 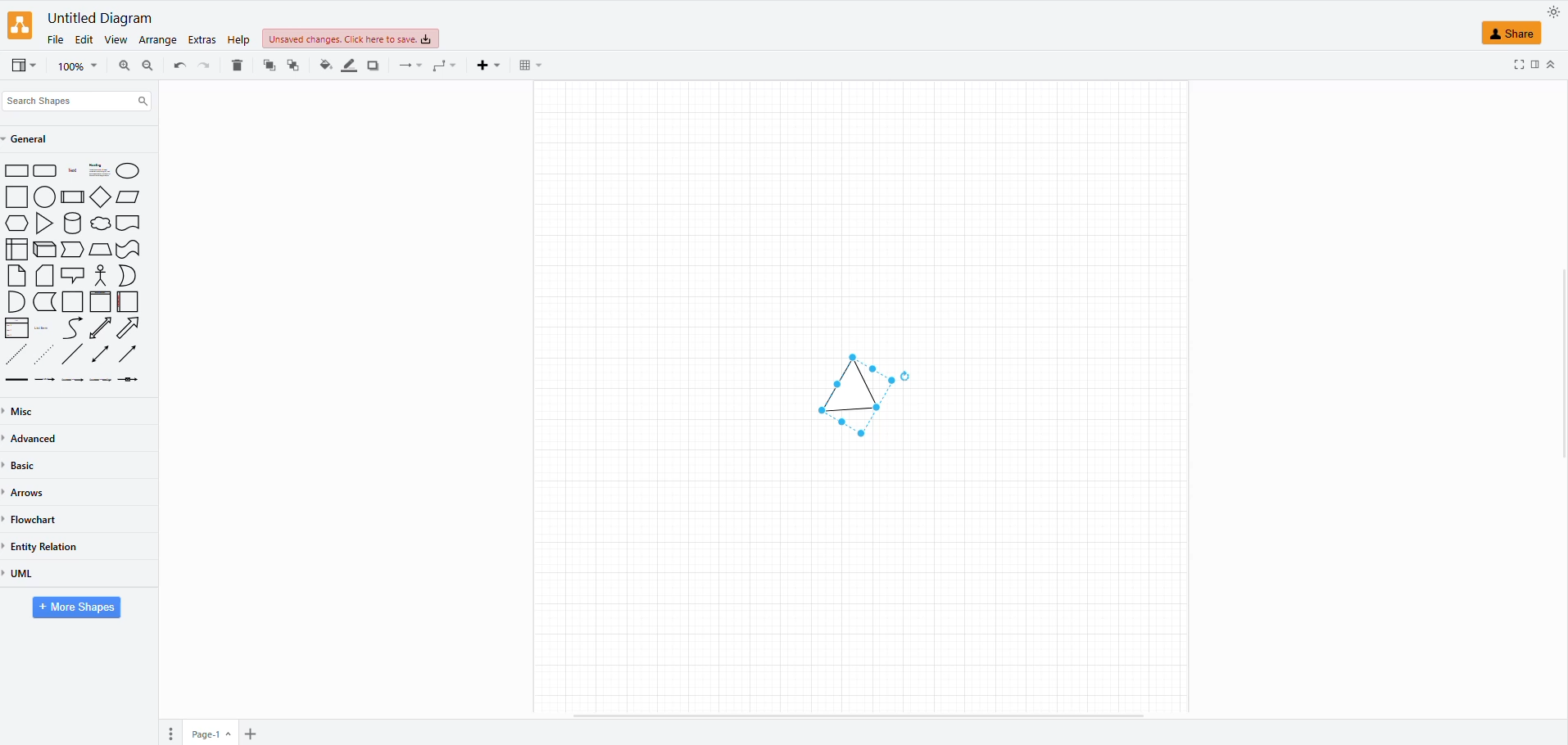 I want to click on to front, so click(x=294, y=63).